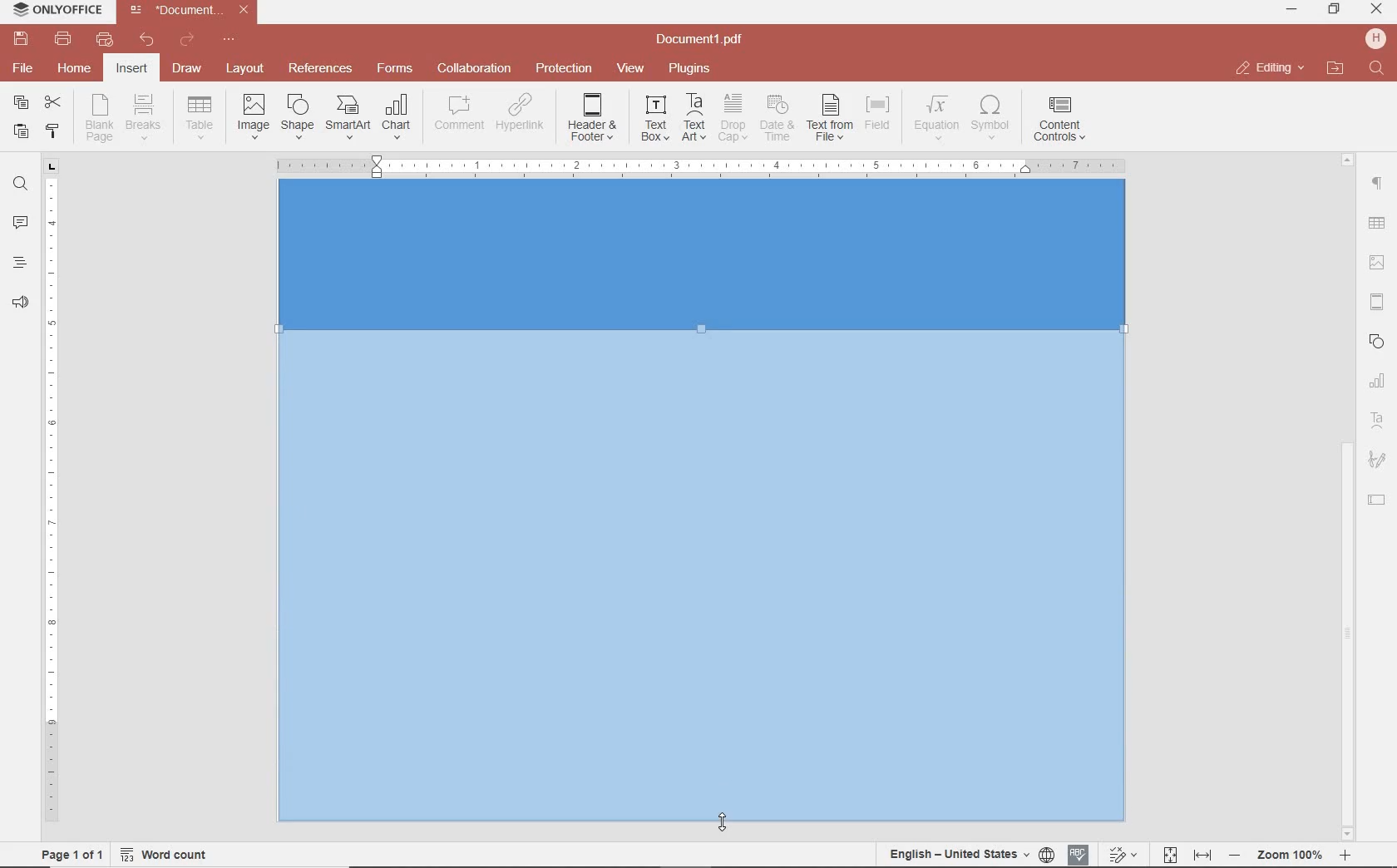 Image resolution: width=1397 pixels, height=868 pixels. I want to click on INSERT PAGE OR SECTION BREAK, so click(143, 118).